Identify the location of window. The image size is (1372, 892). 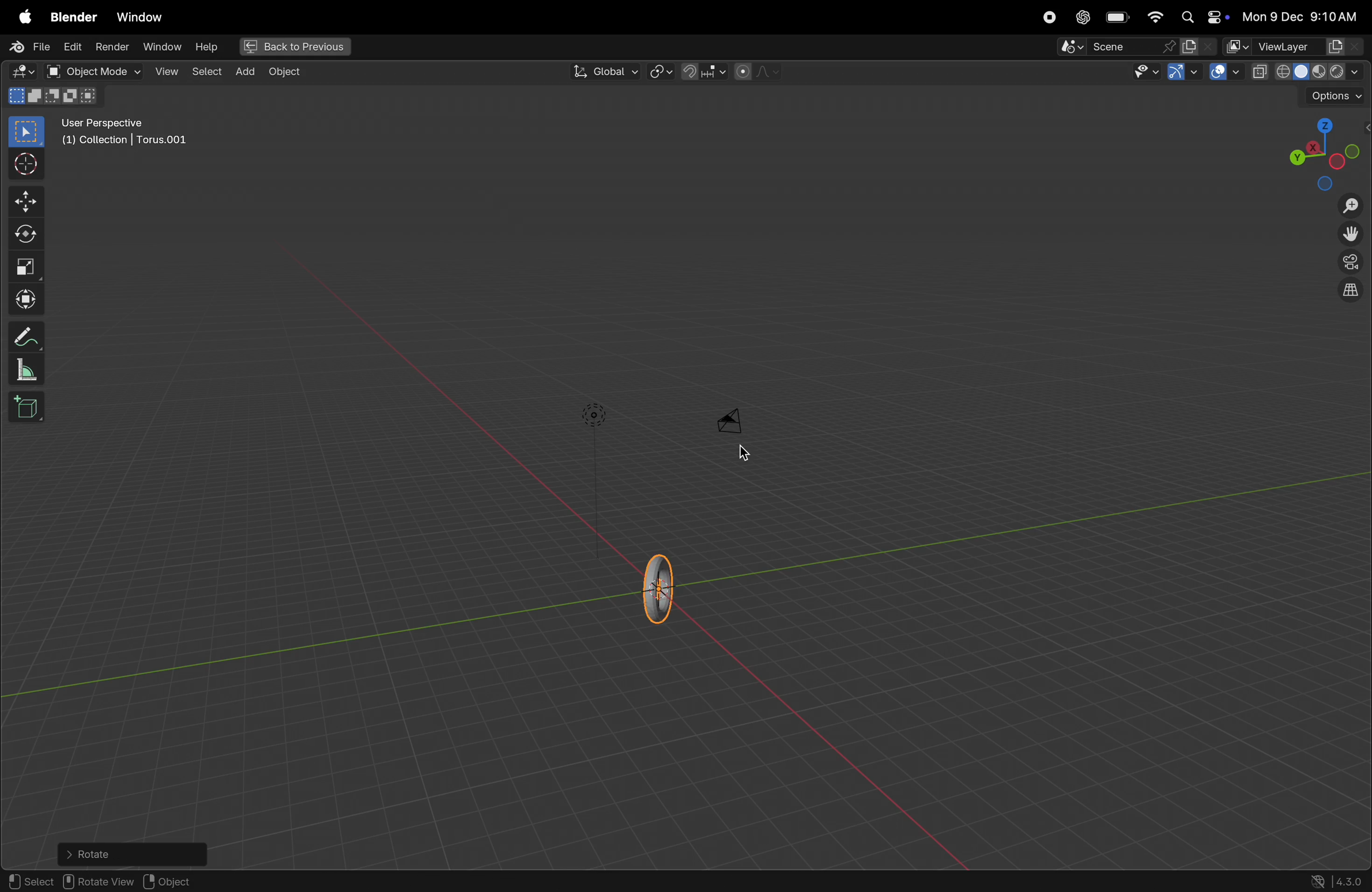
(161, 47).